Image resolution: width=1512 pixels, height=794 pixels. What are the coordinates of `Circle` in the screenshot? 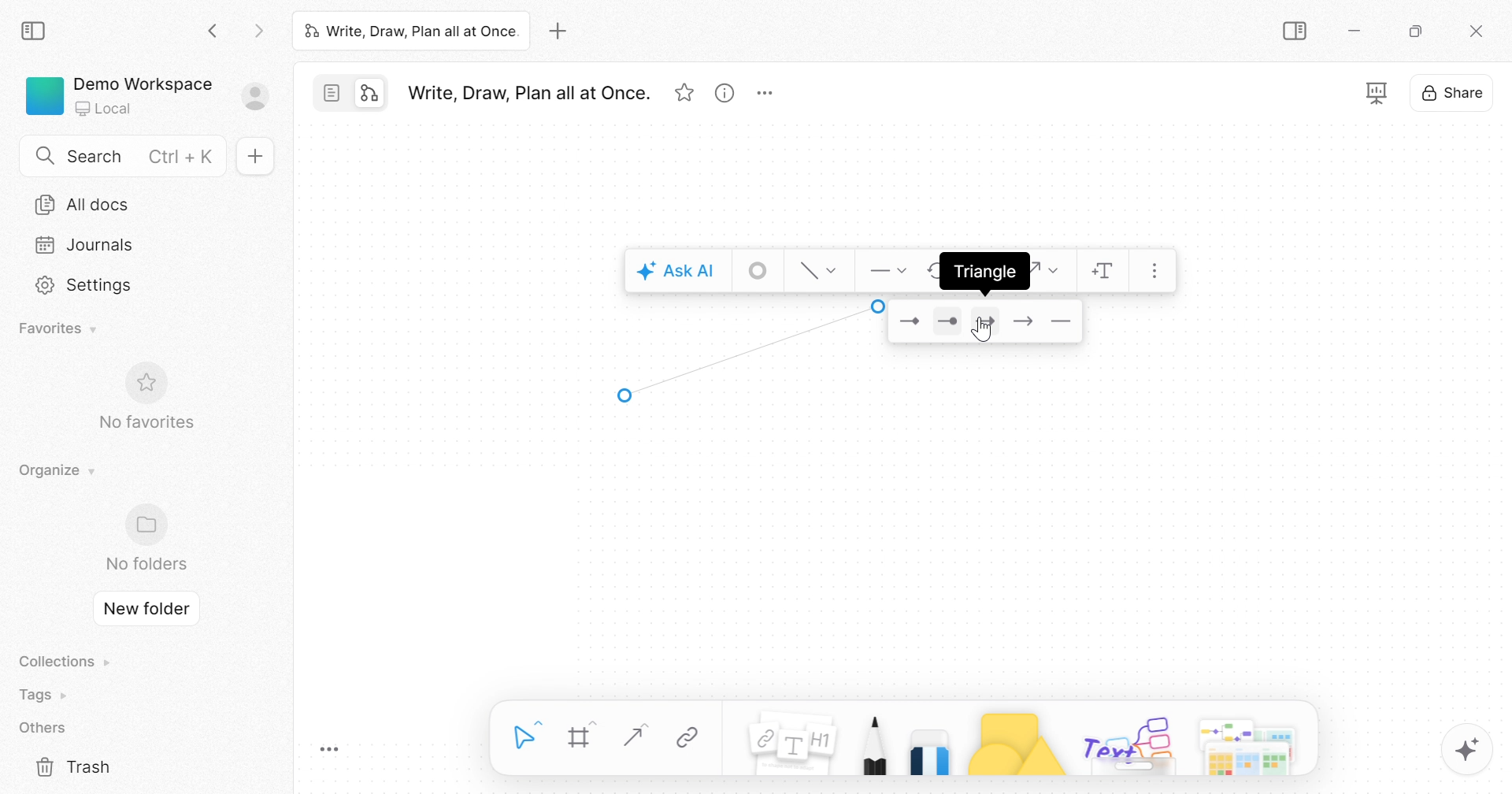 It's located at (946, 322).